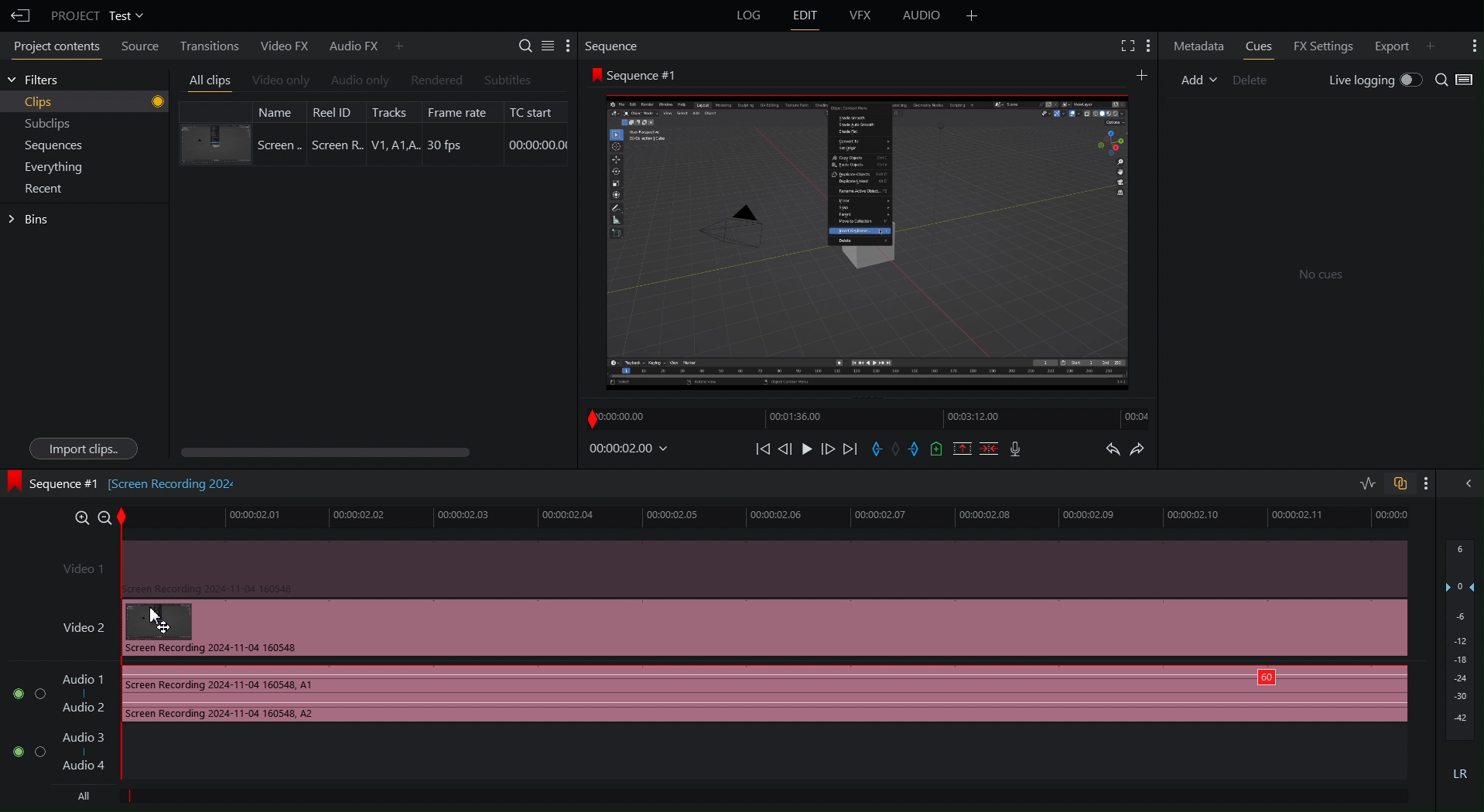  Describe the element at coordinates (508, 78) in the screenshot. I see `Subtitle` at that location.